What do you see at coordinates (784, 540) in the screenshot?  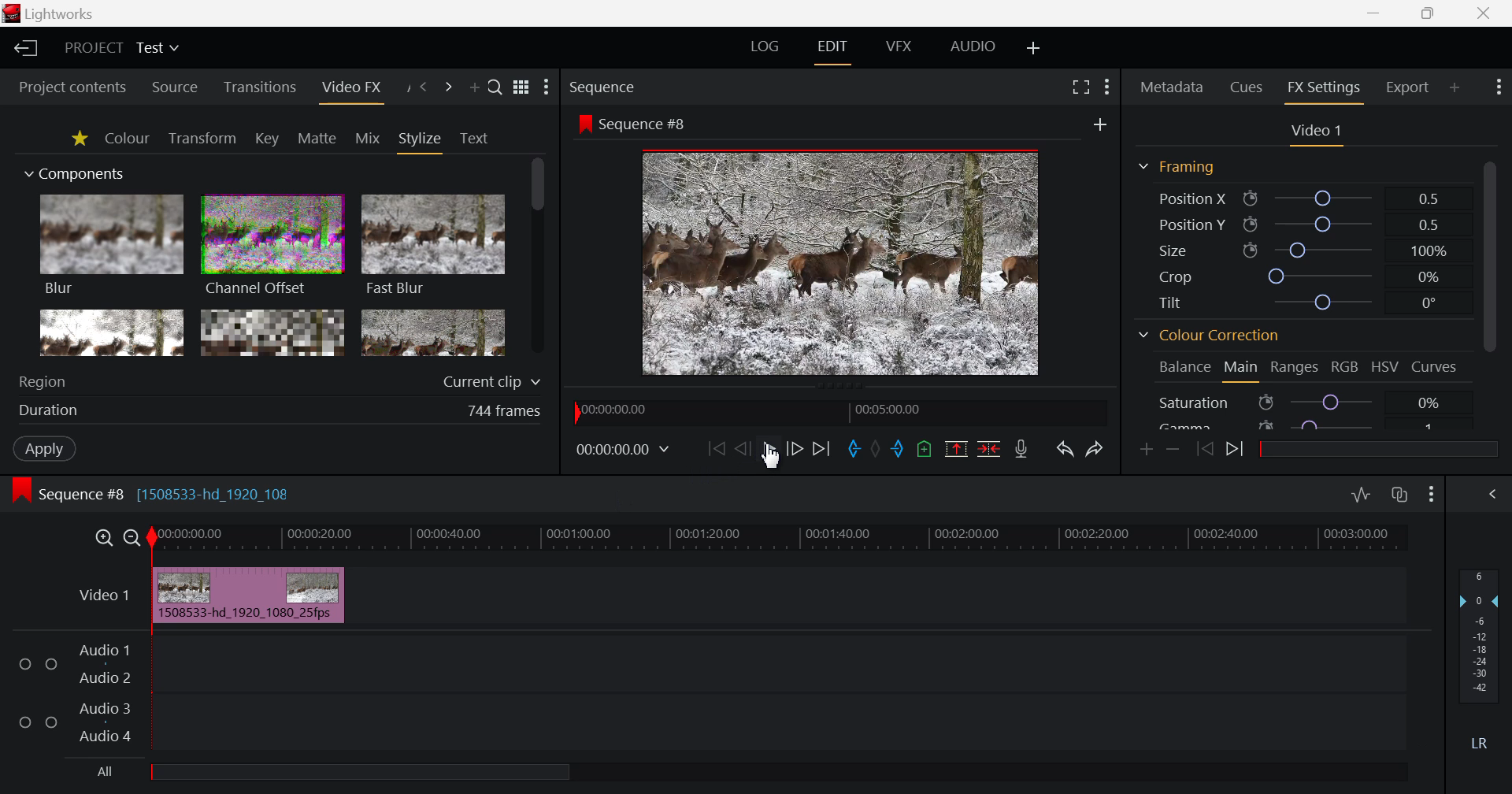 I see `Timeline Track` at bounding box center [784, 540].